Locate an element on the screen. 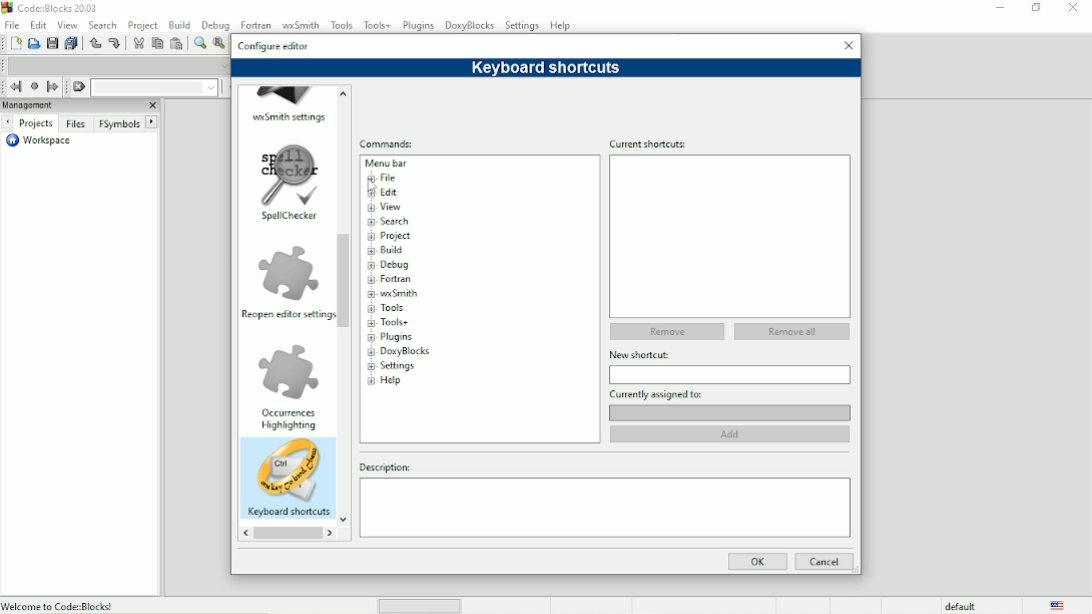  Search is located at coordinates (395, 221).